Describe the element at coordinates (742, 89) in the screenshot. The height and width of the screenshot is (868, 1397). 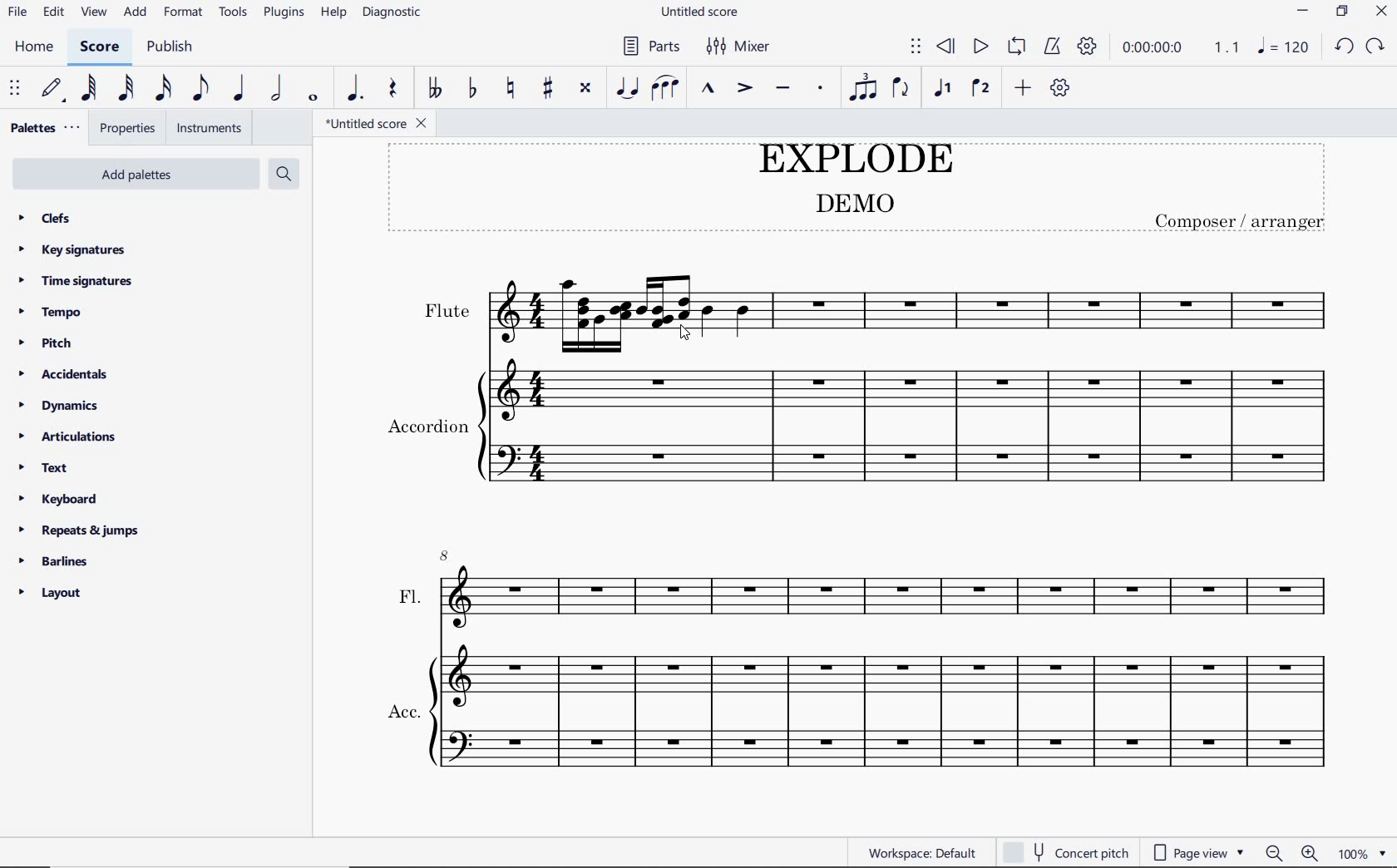
I see `accent` at that location.